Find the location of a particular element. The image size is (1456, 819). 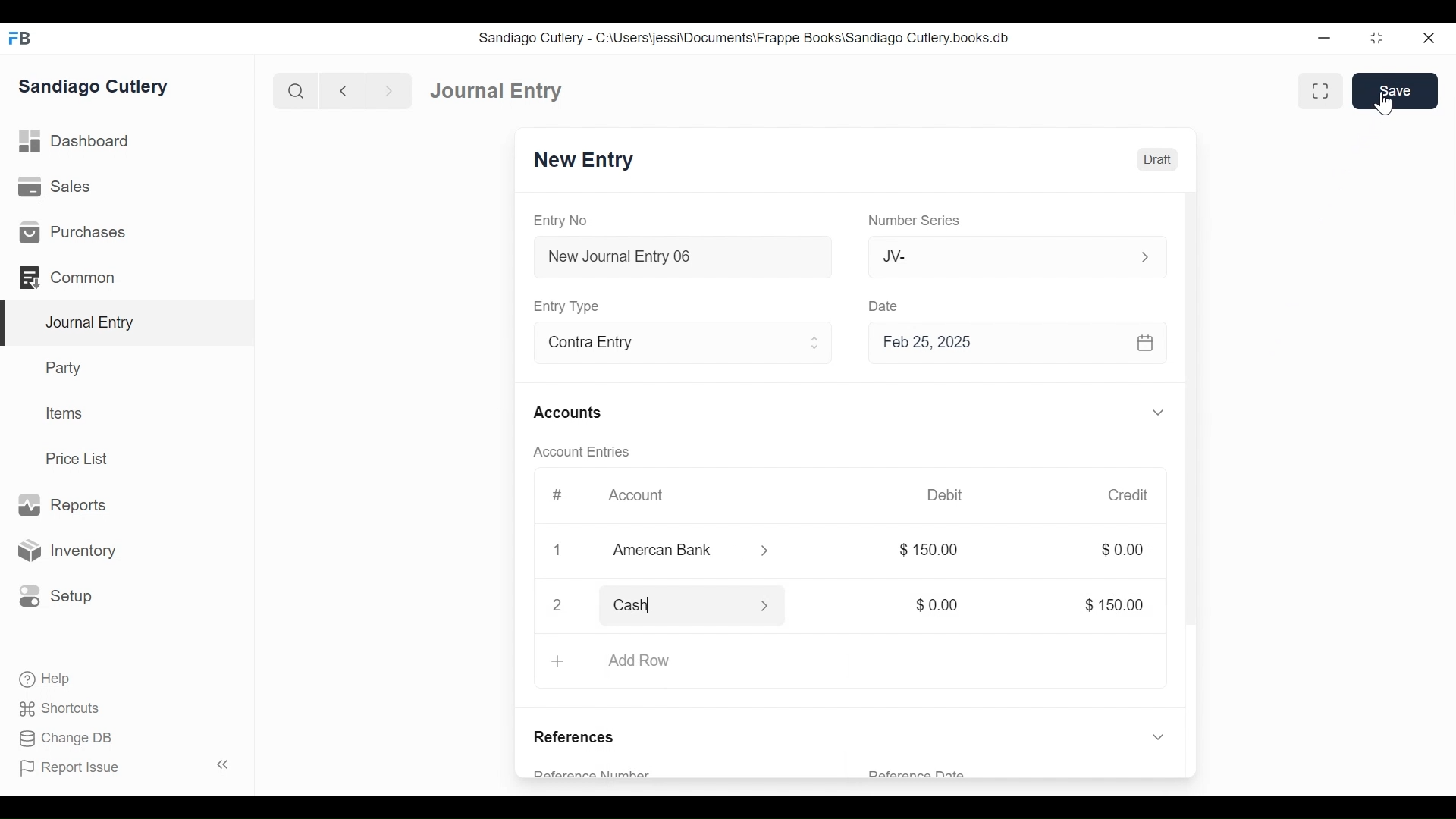

Credit is located at coordinates (1127, 495).